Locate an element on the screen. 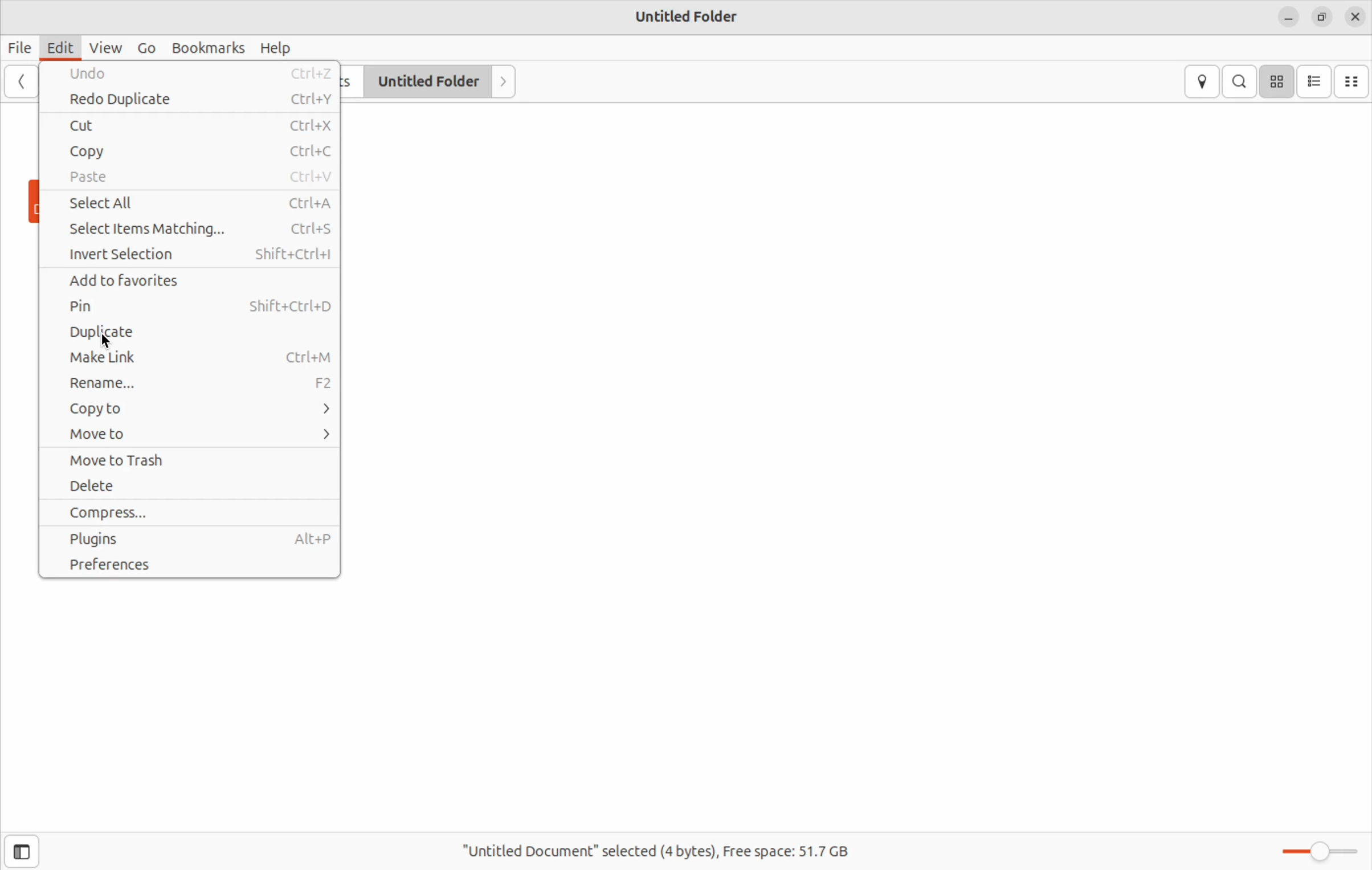 This screenshot has height=870, width=1372. Pin is located at coordinates (188, 307).